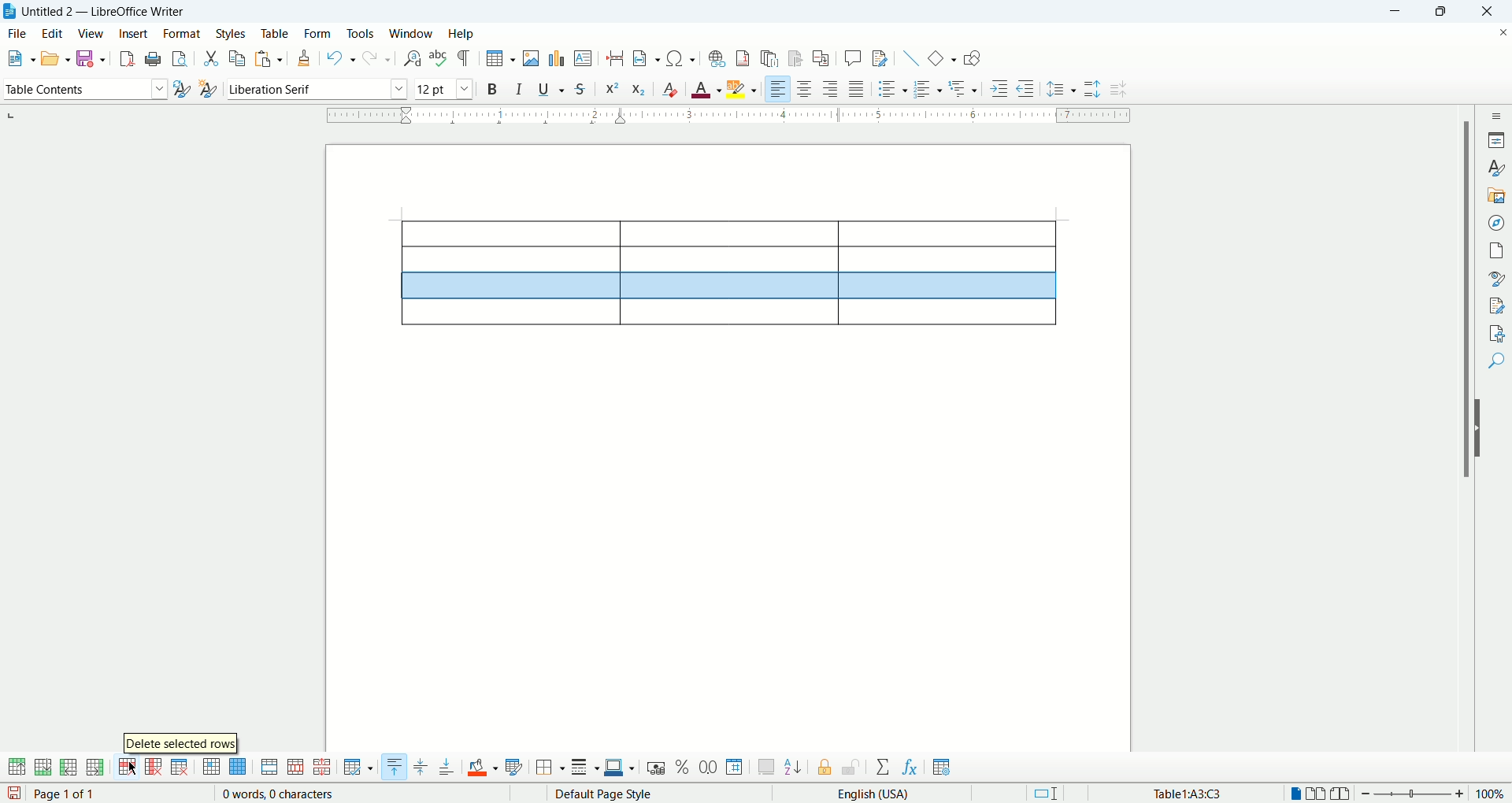  What do you see at coordinates (532, 58) in the screenshot?
I see `insert image` at bounding box center [532, 58].